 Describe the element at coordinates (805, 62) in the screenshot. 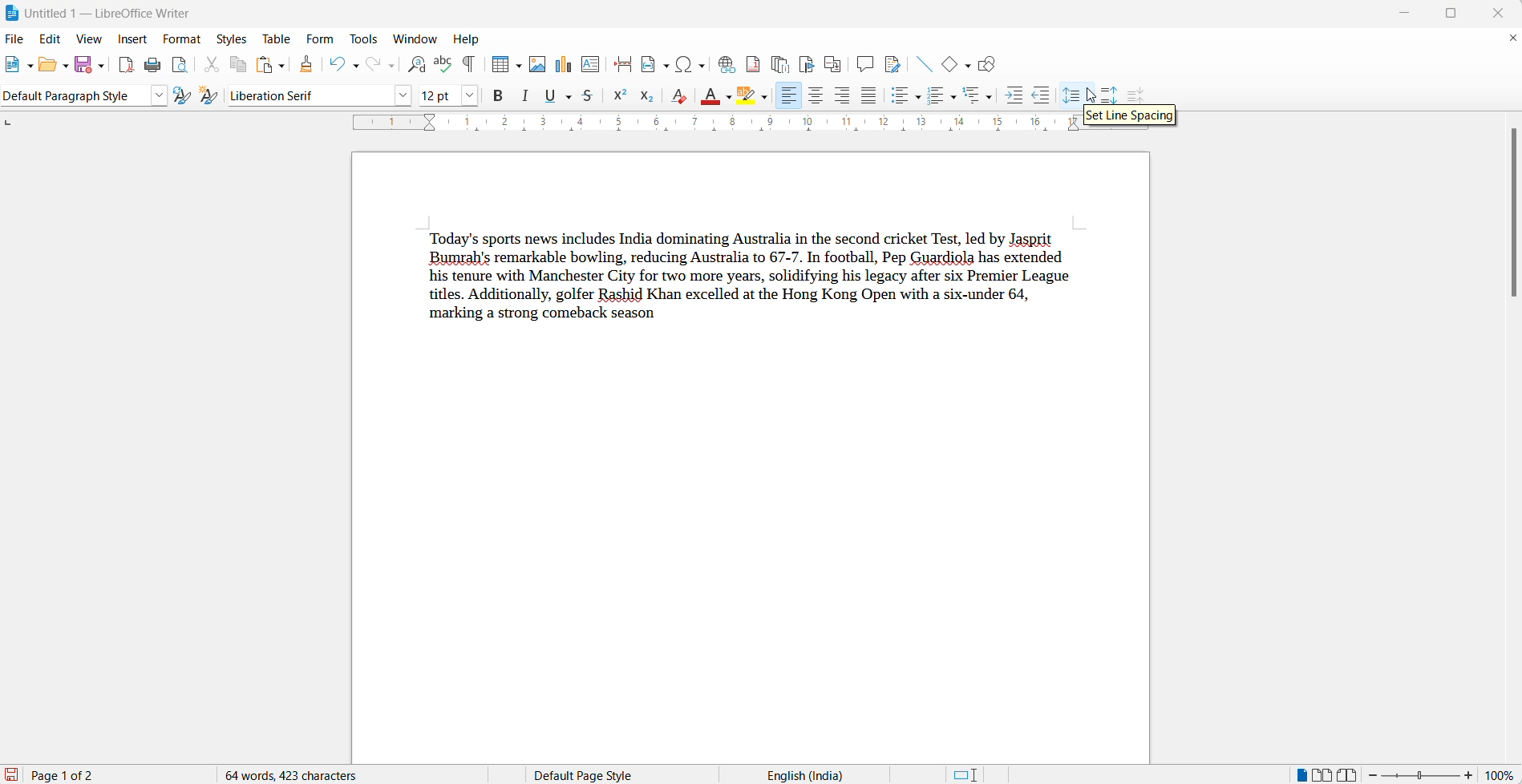

I see `insert bookmark` at that location.